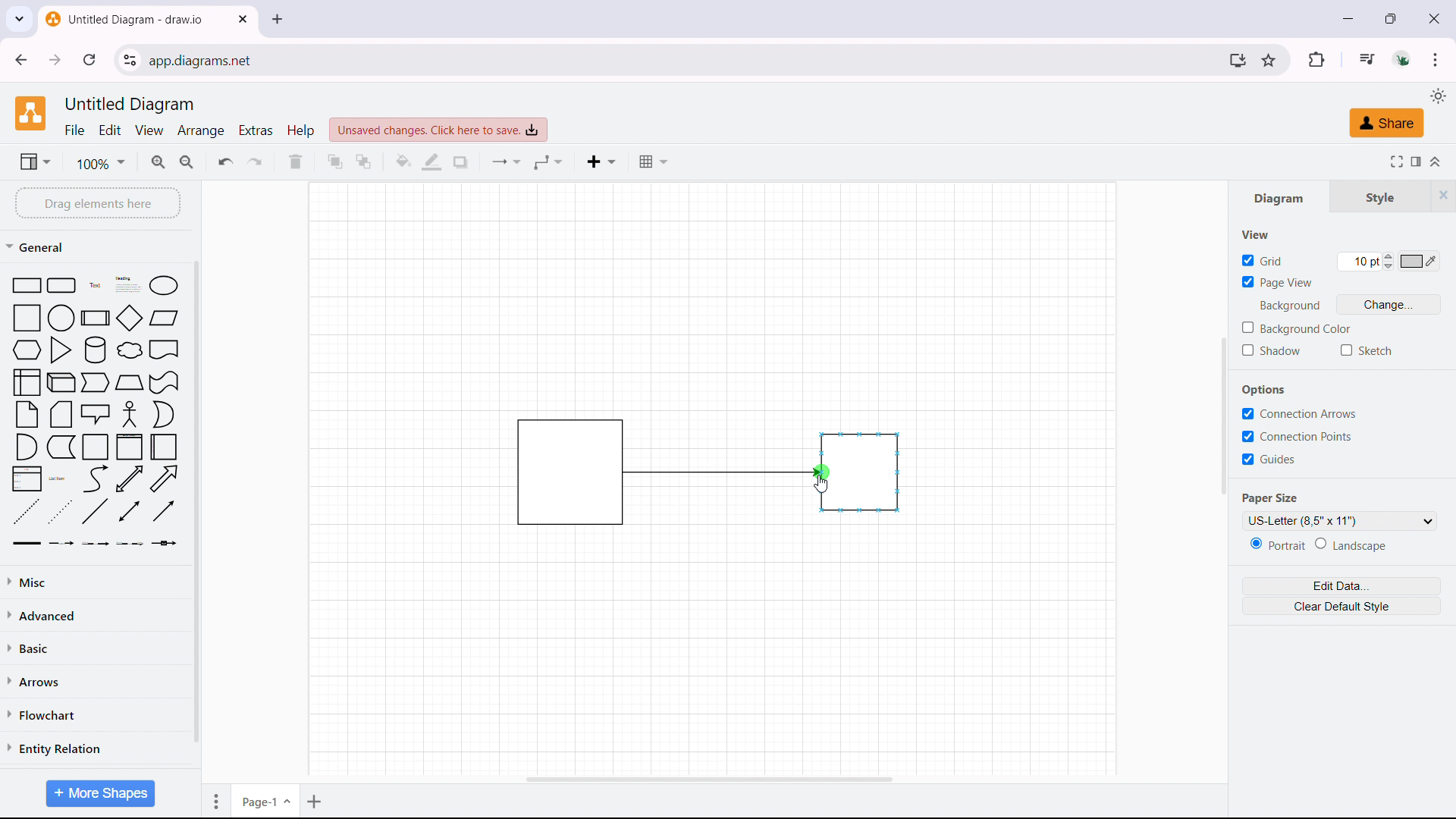  I want to click on click to go forward, hold to see history, so click(55, 60).